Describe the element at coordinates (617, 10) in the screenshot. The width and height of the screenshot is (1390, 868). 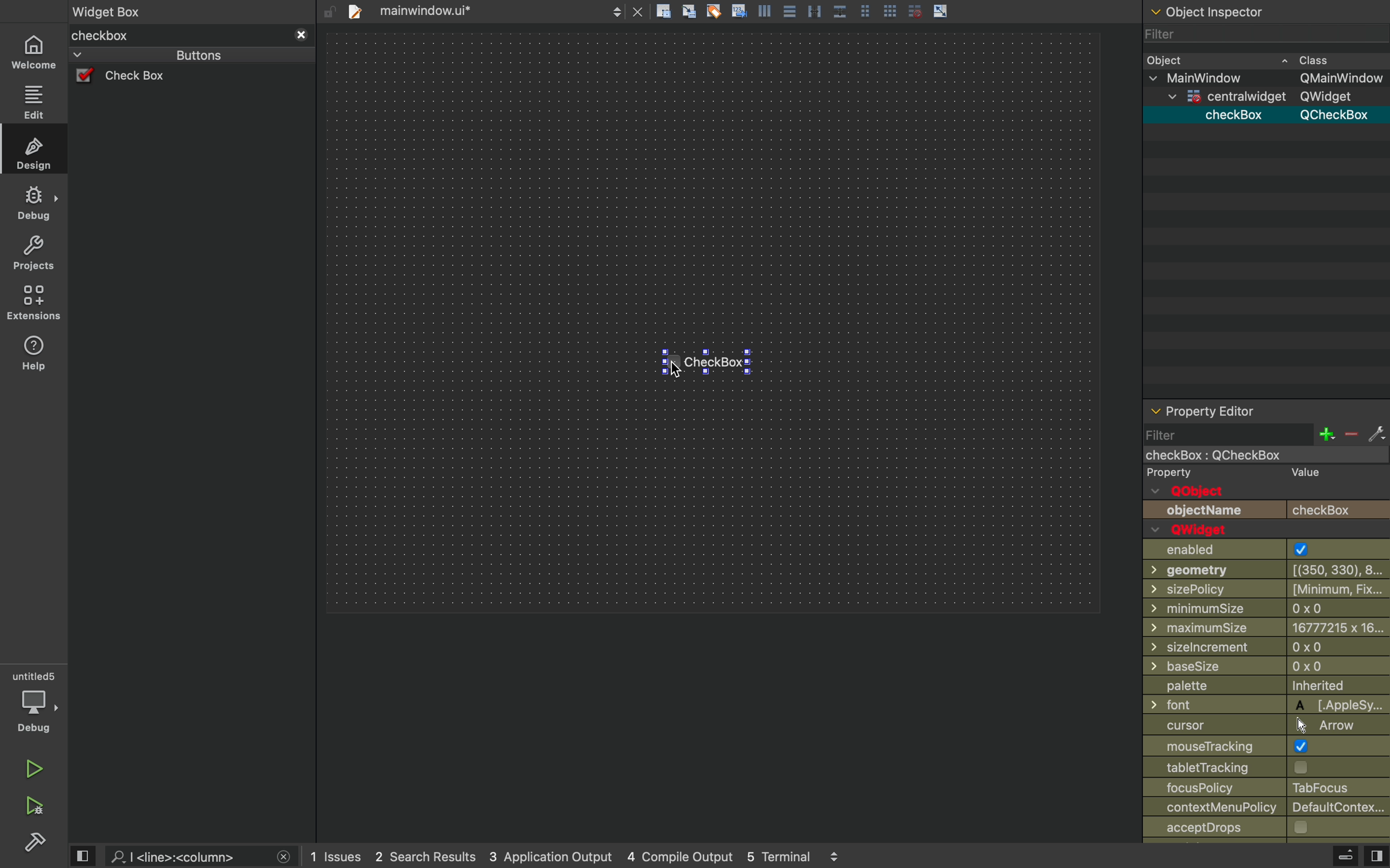
I see `next/back` at that location.